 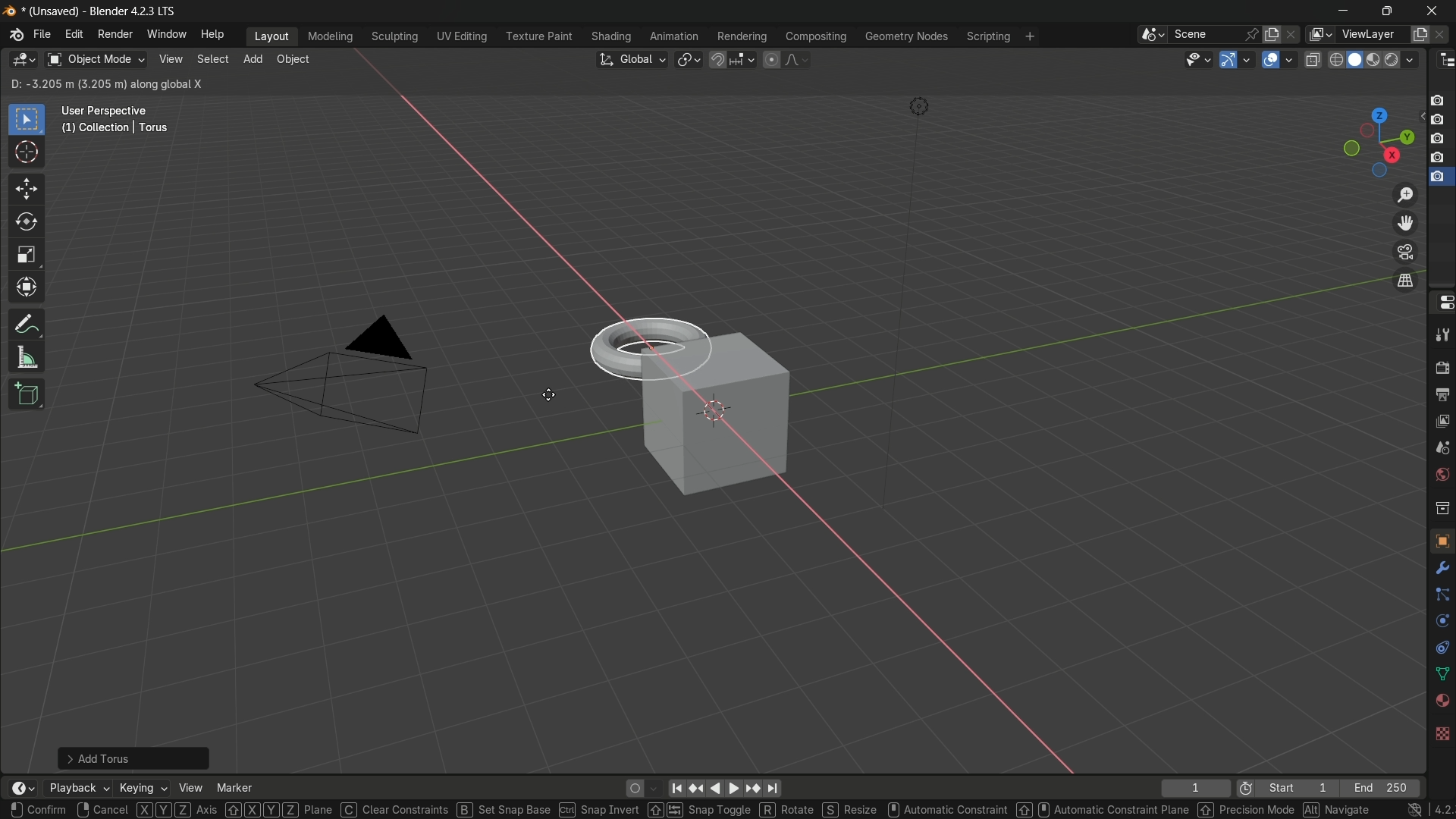 I want to click on solid, so click(x=1357, y=60).